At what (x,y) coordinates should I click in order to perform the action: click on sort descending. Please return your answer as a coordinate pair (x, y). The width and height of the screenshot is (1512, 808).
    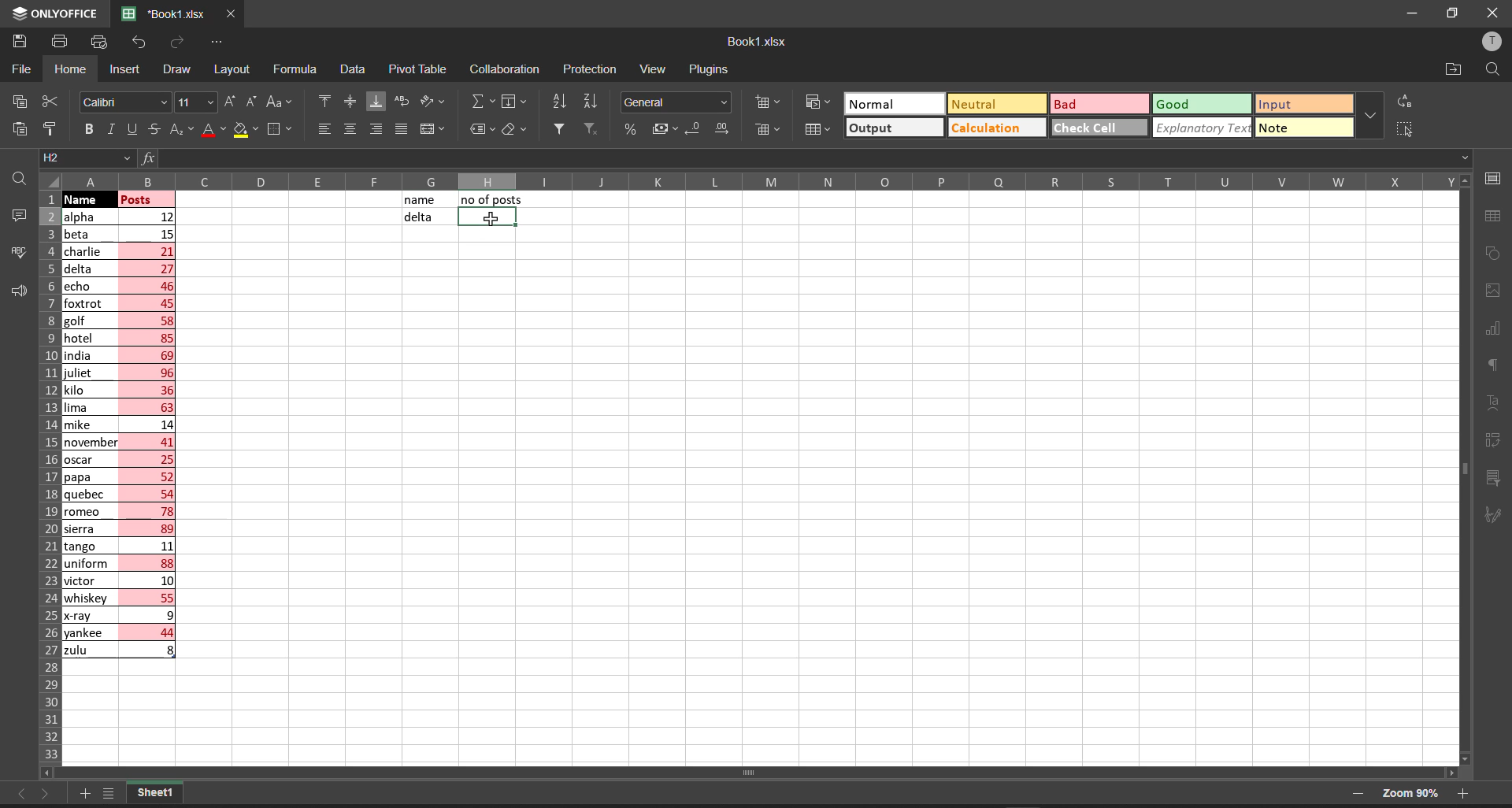
    Looking at the image, I should click on (594, 102).